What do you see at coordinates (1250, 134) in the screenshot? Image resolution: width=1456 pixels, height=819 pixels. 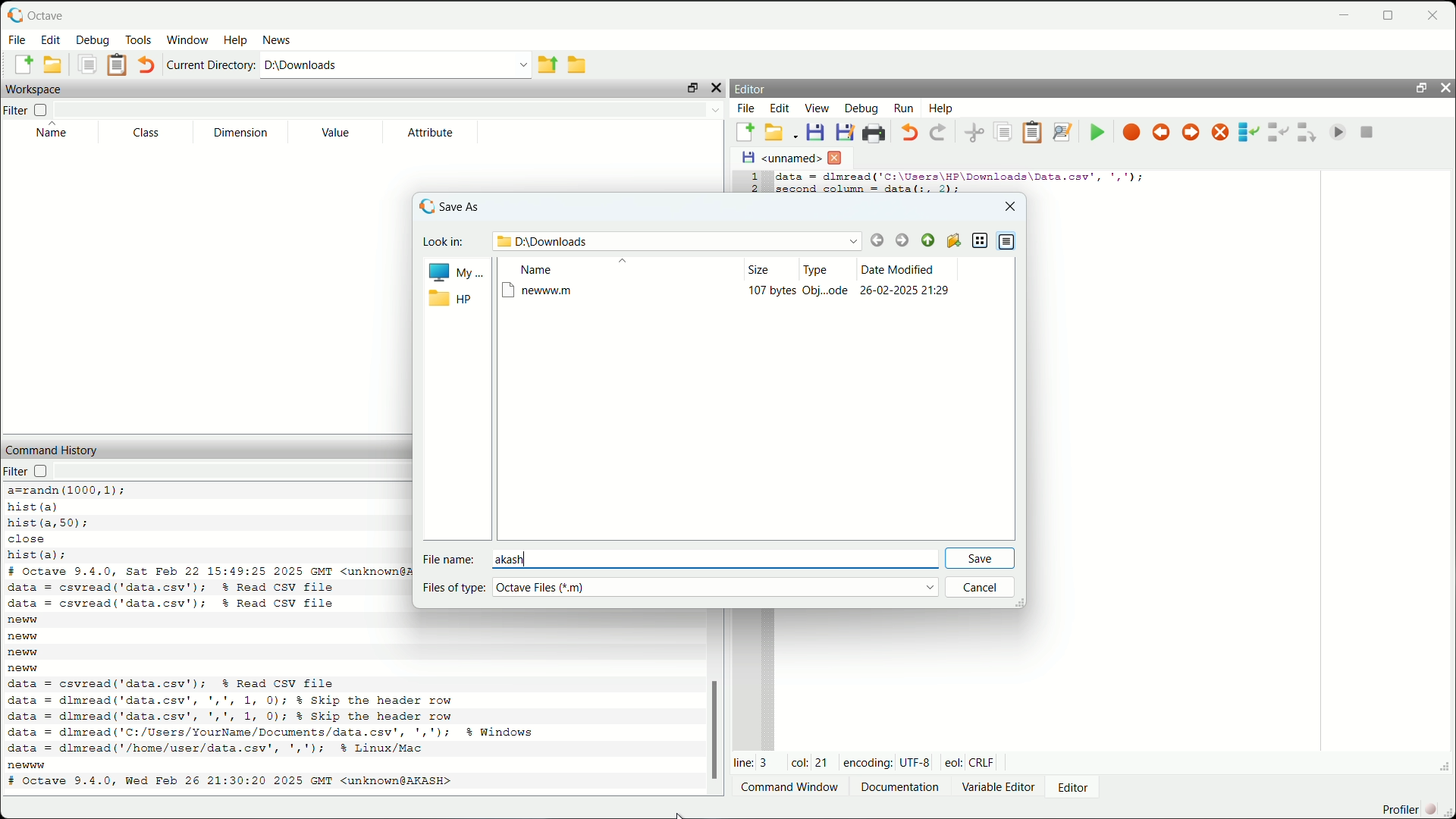 I see `step` at bounding box center [1250, 134].